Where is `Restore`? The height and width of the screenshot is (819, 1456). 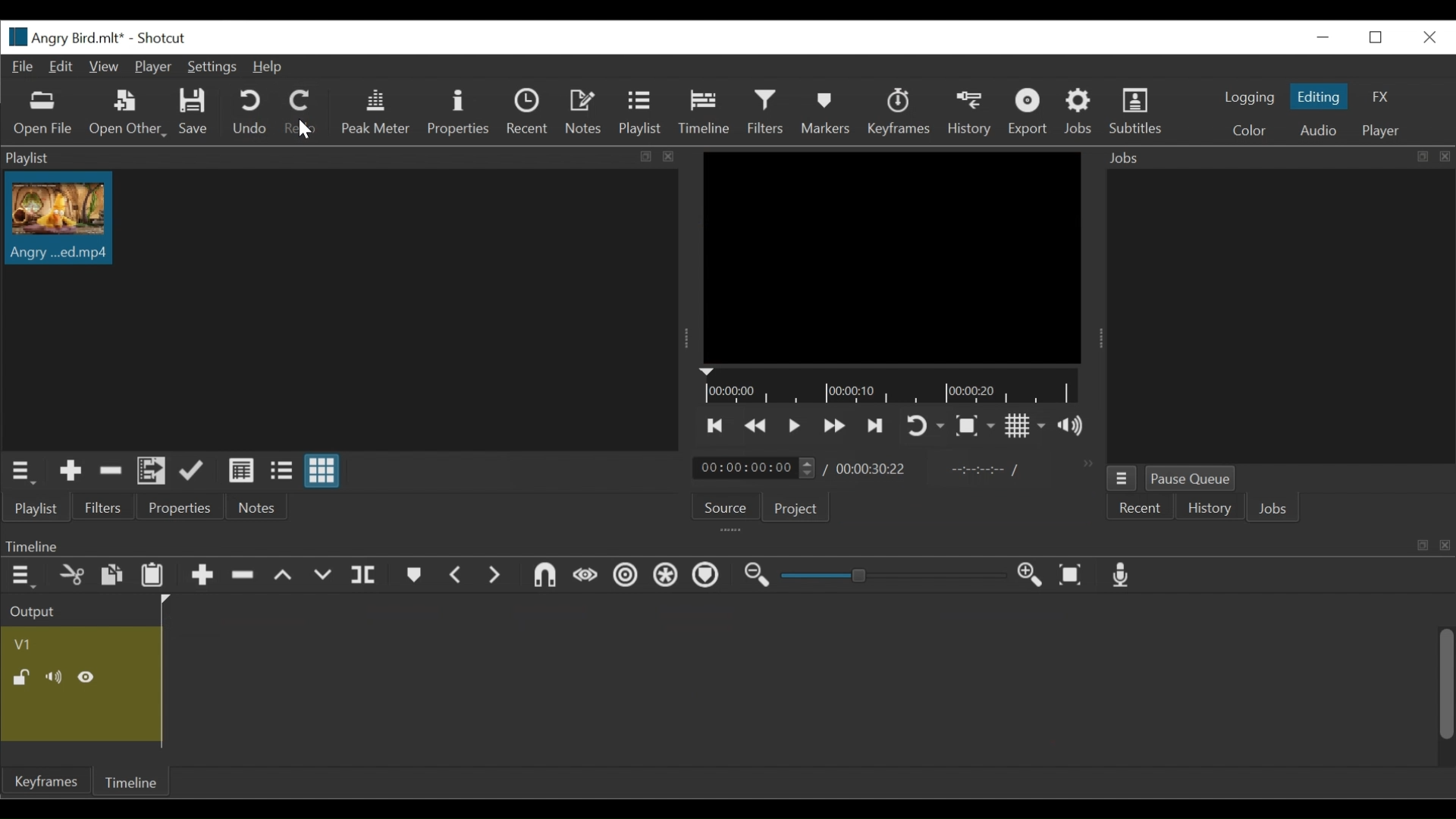 Restore is located at coordinates (1379, 37).